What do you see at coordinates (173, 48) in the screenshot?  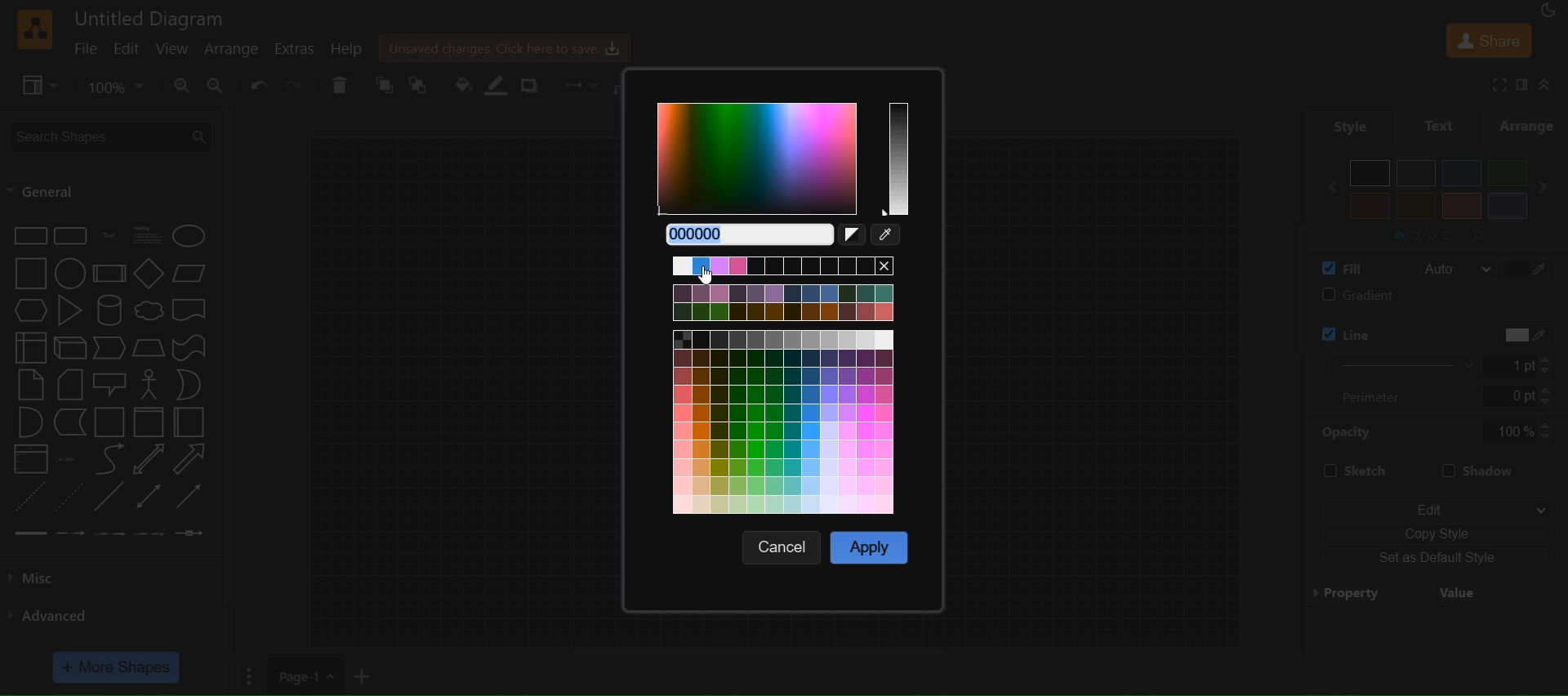 I see `view` at bounding box center [173, 48].